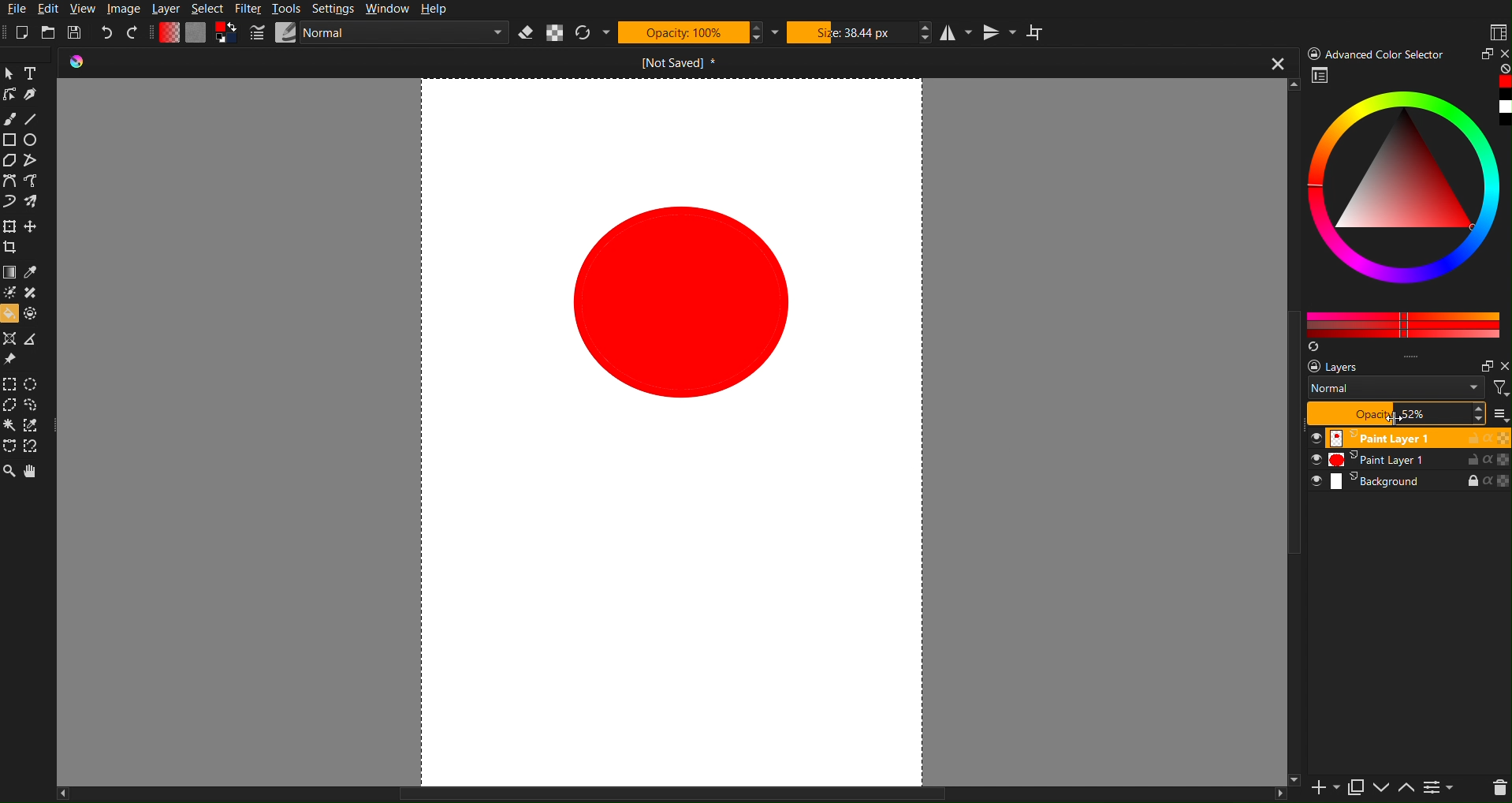 This screenshot has width=1512, height=803. What do you see at coordinates (1332, 365) in the screenshot?
I see `layers` at bounding box center [1332, 365].